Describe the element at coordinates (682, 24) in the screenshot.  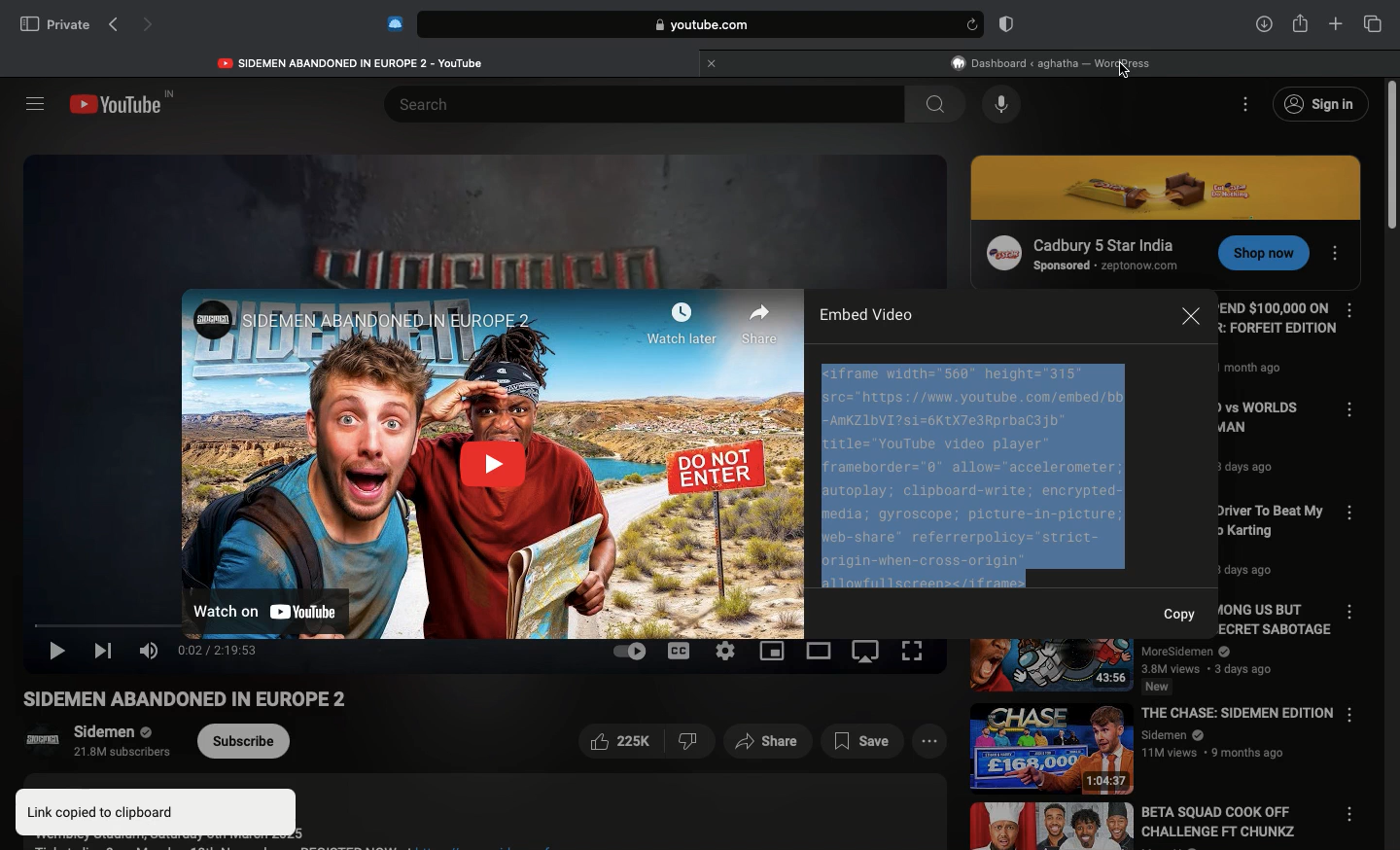
I see `Search bar` at that location.